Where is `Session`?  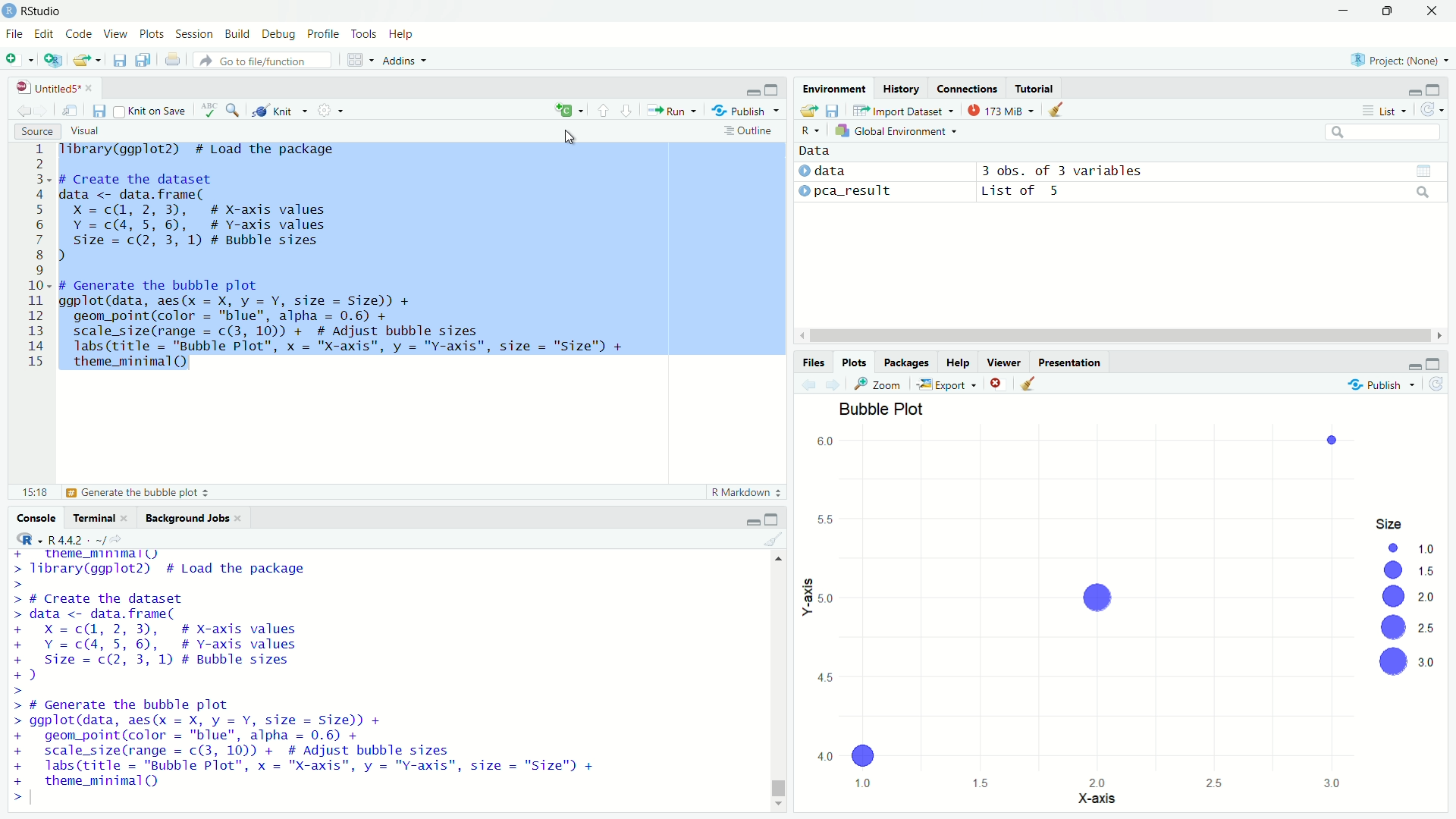 Session is located at coordinates (196, 34).